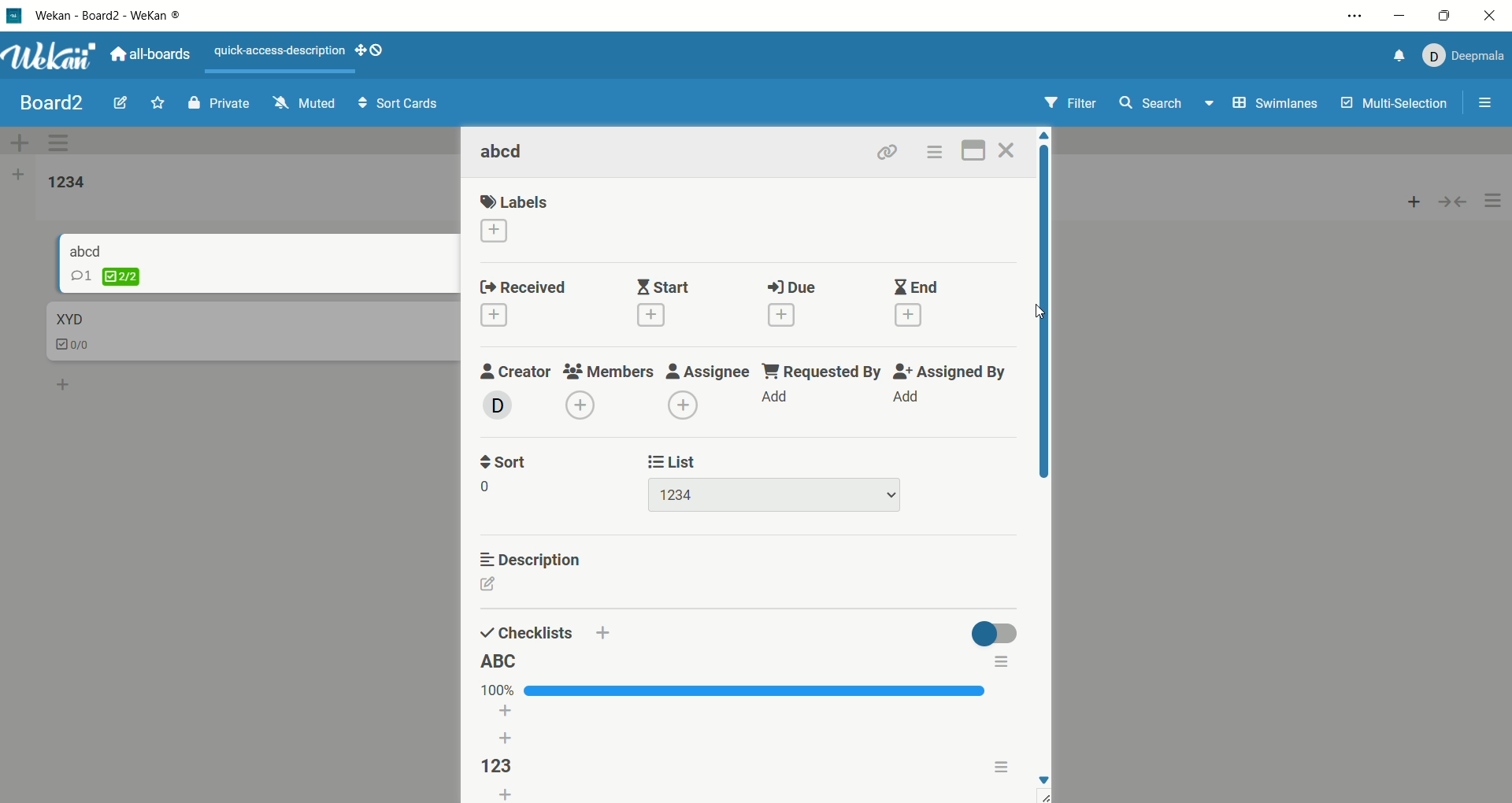 The width and height of the screenshot is (1512, 803). Describe the element at coordinates (674, 461) in the screenshot. I see `list` at that location.